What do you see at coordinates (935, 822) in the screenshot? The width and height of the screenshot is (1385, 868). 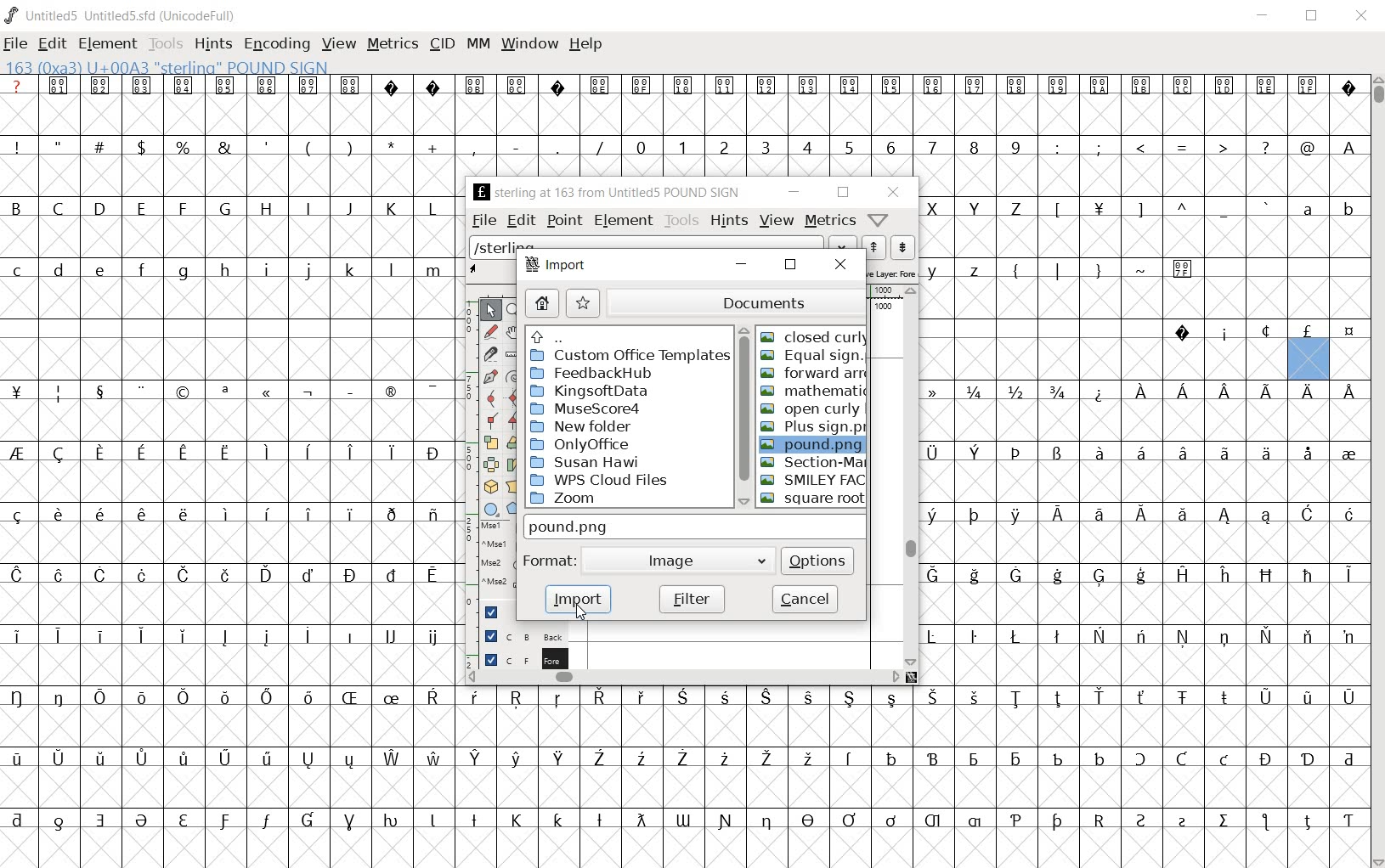 I see `Symbol` at bounding box center [935, 822].